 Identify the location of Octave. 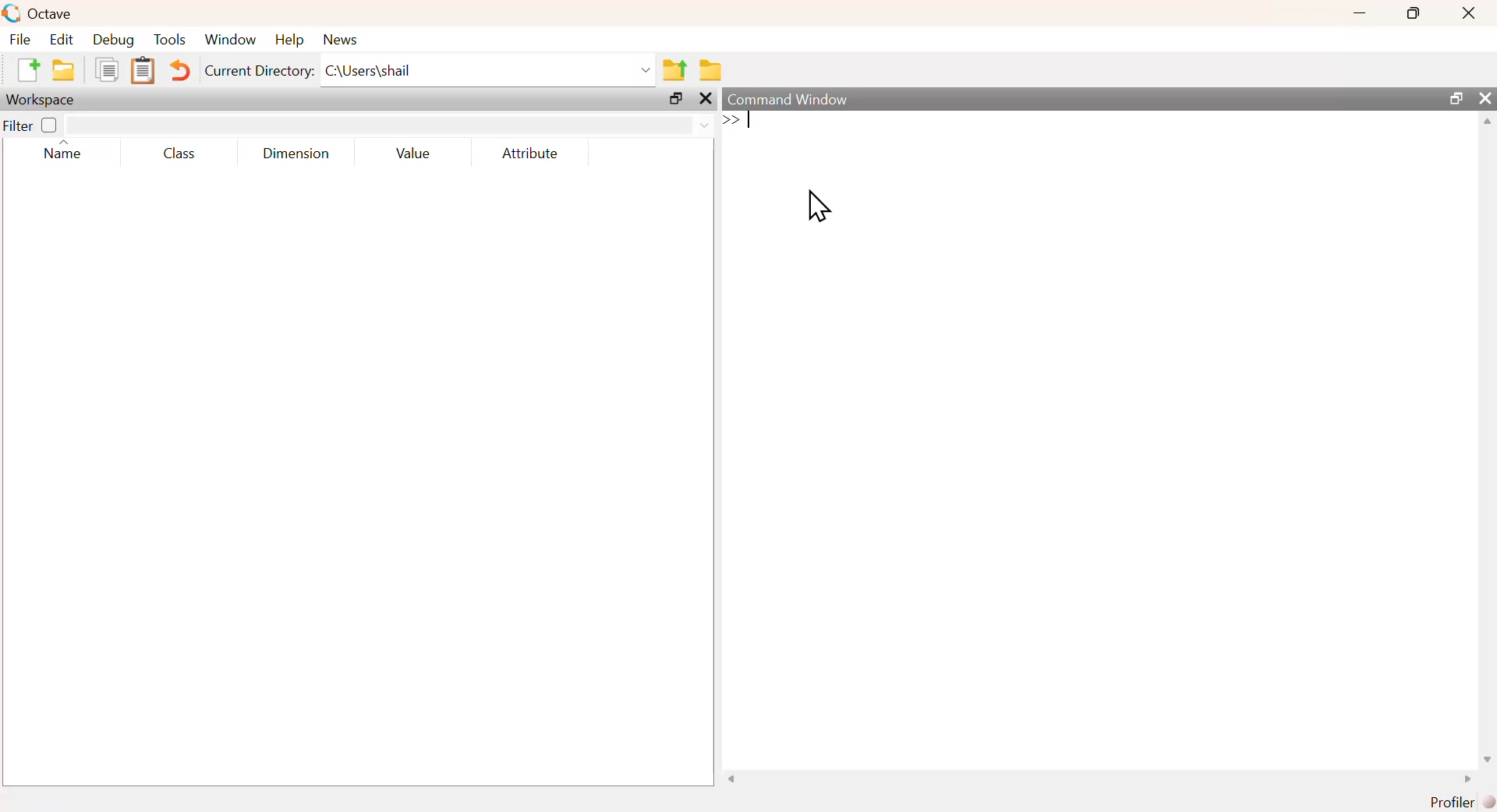
(54, 14).